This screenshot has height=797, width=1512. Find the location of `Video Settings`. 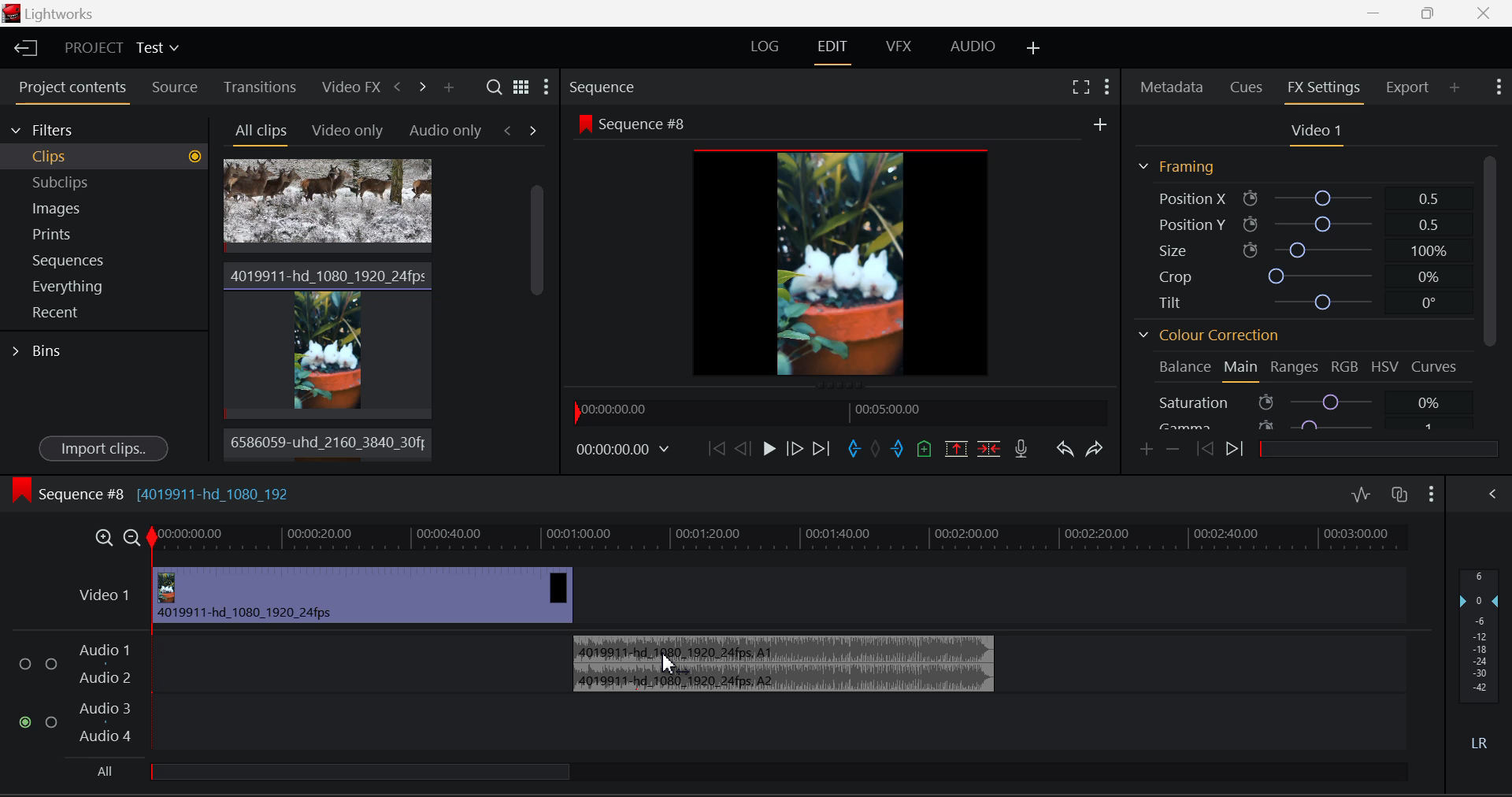

Video Settings is located at coordinates (1314, 130).